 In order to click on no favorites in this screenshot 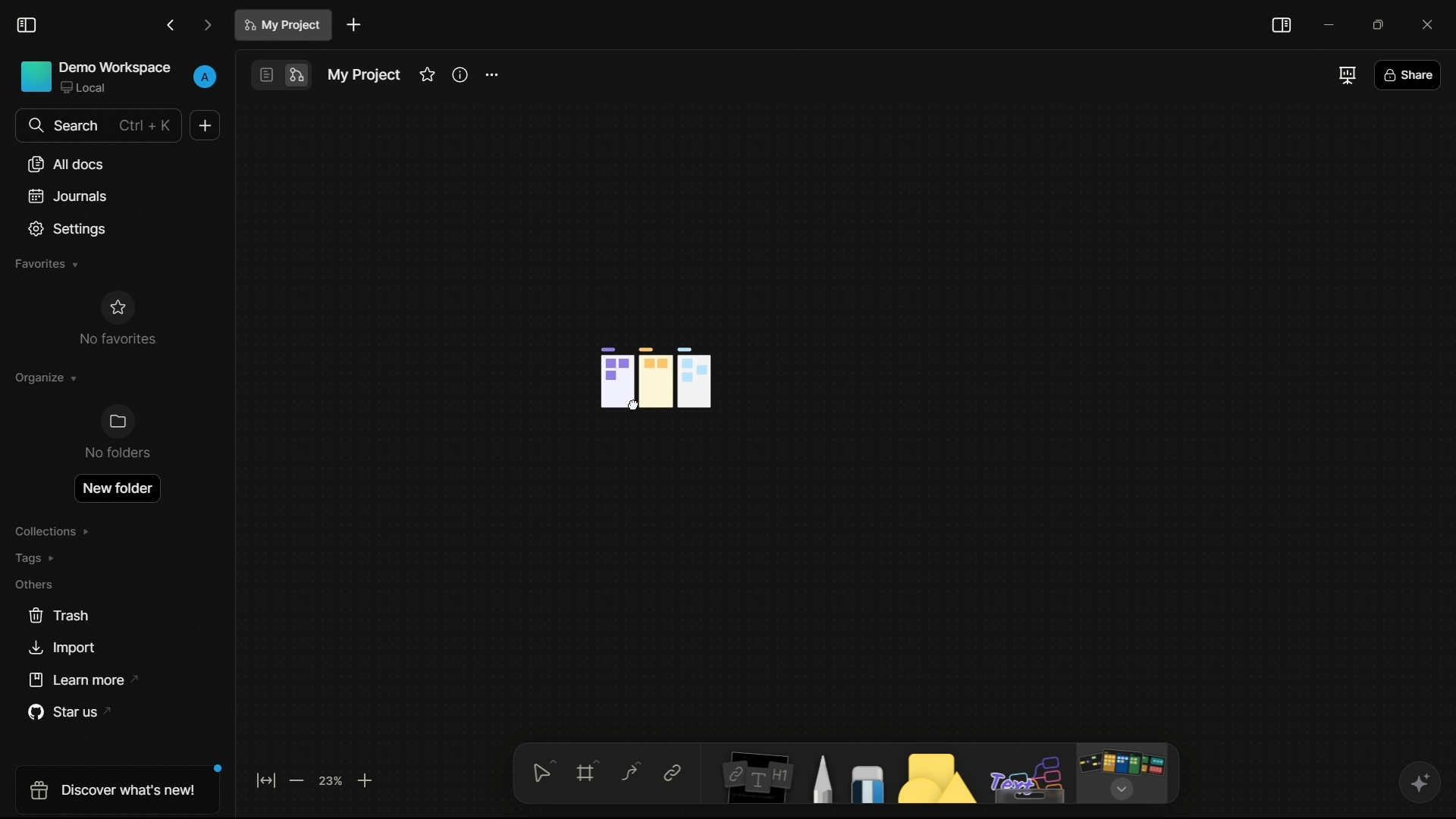, I will do `click(116, 318)`.